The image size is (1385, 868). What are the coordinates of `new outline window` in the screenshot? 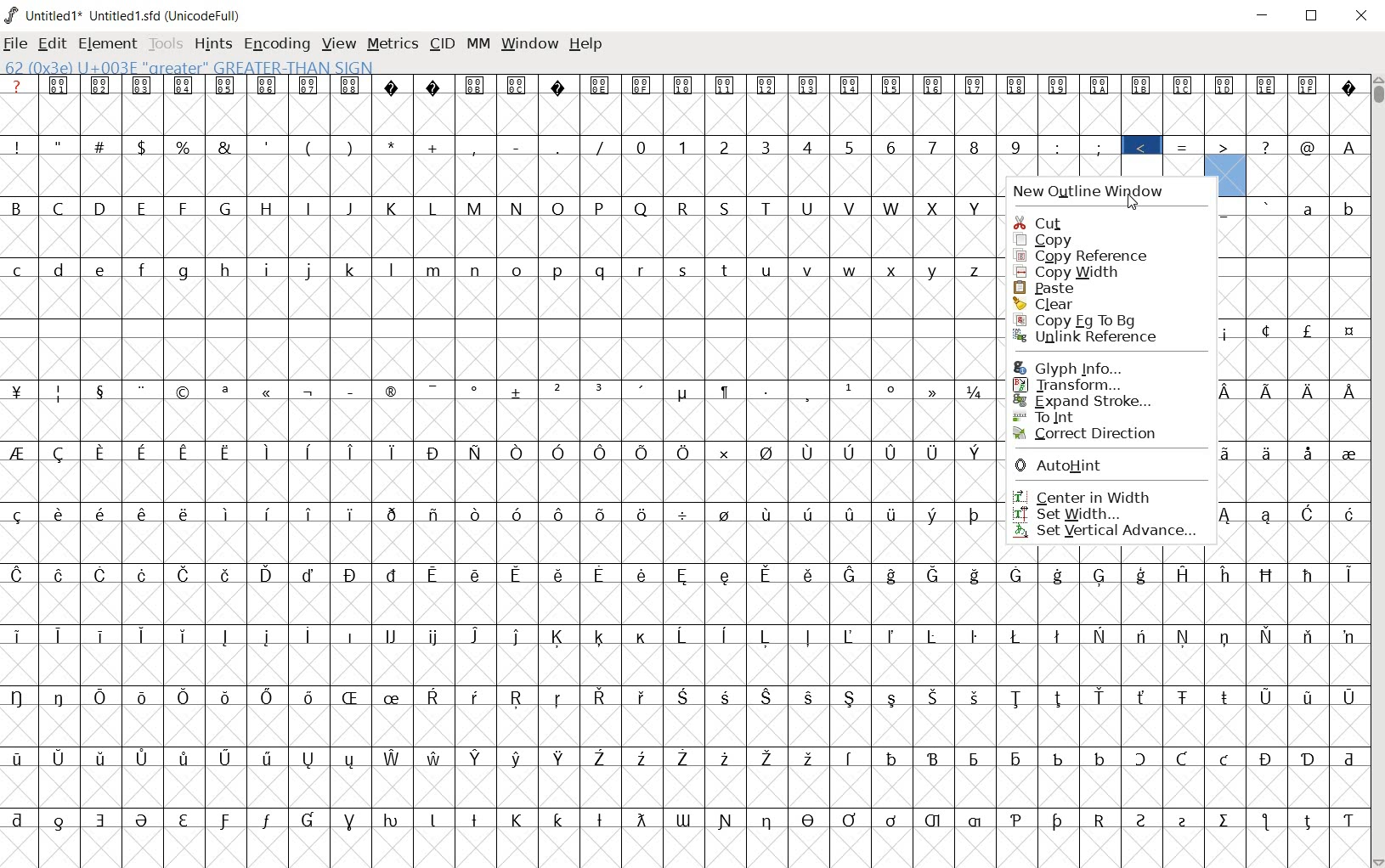 It's located at (1100, 192).